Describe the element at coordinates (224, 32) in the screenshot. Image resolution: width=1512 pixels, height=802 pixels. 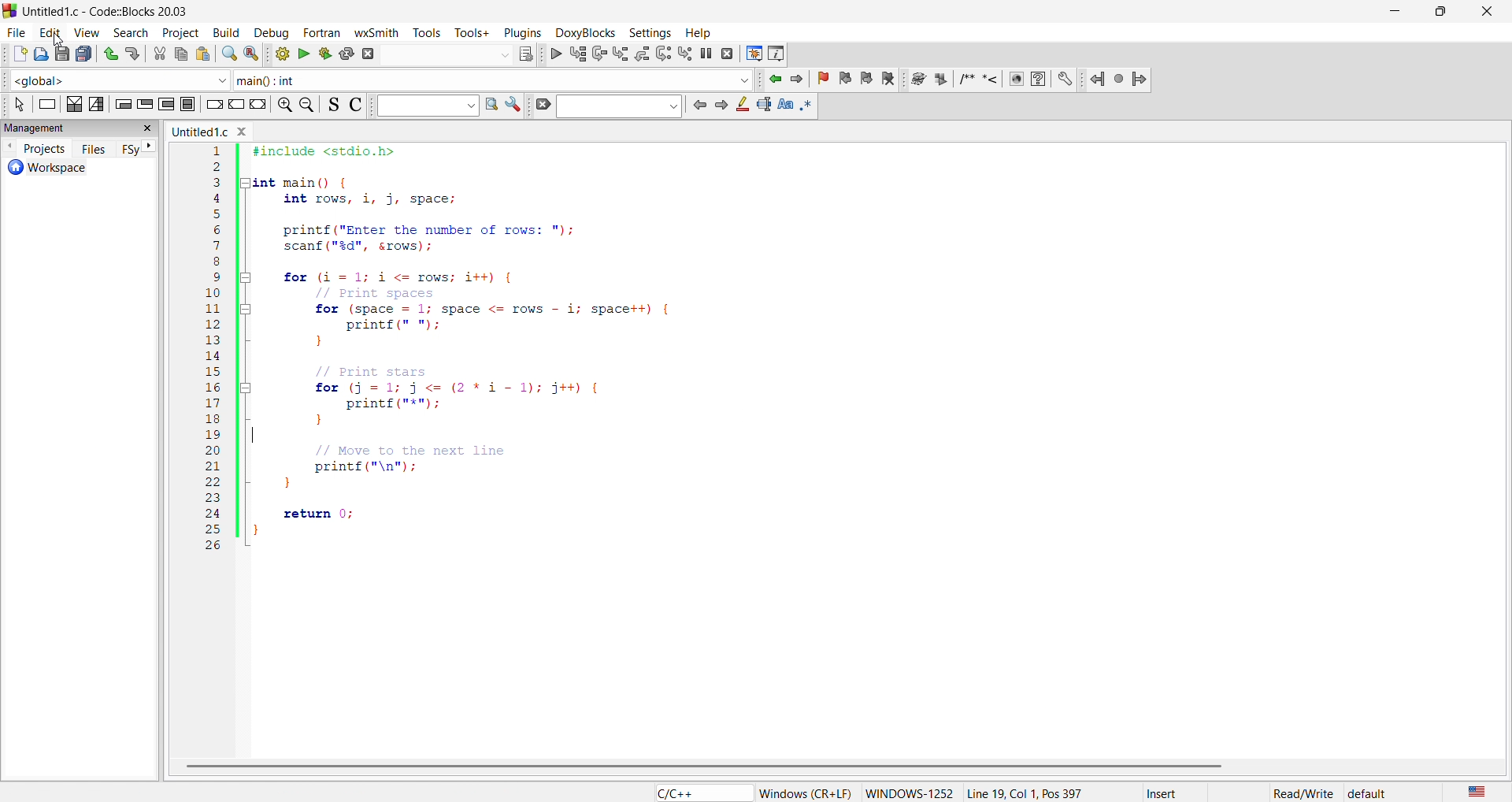
I see `build` at that location.